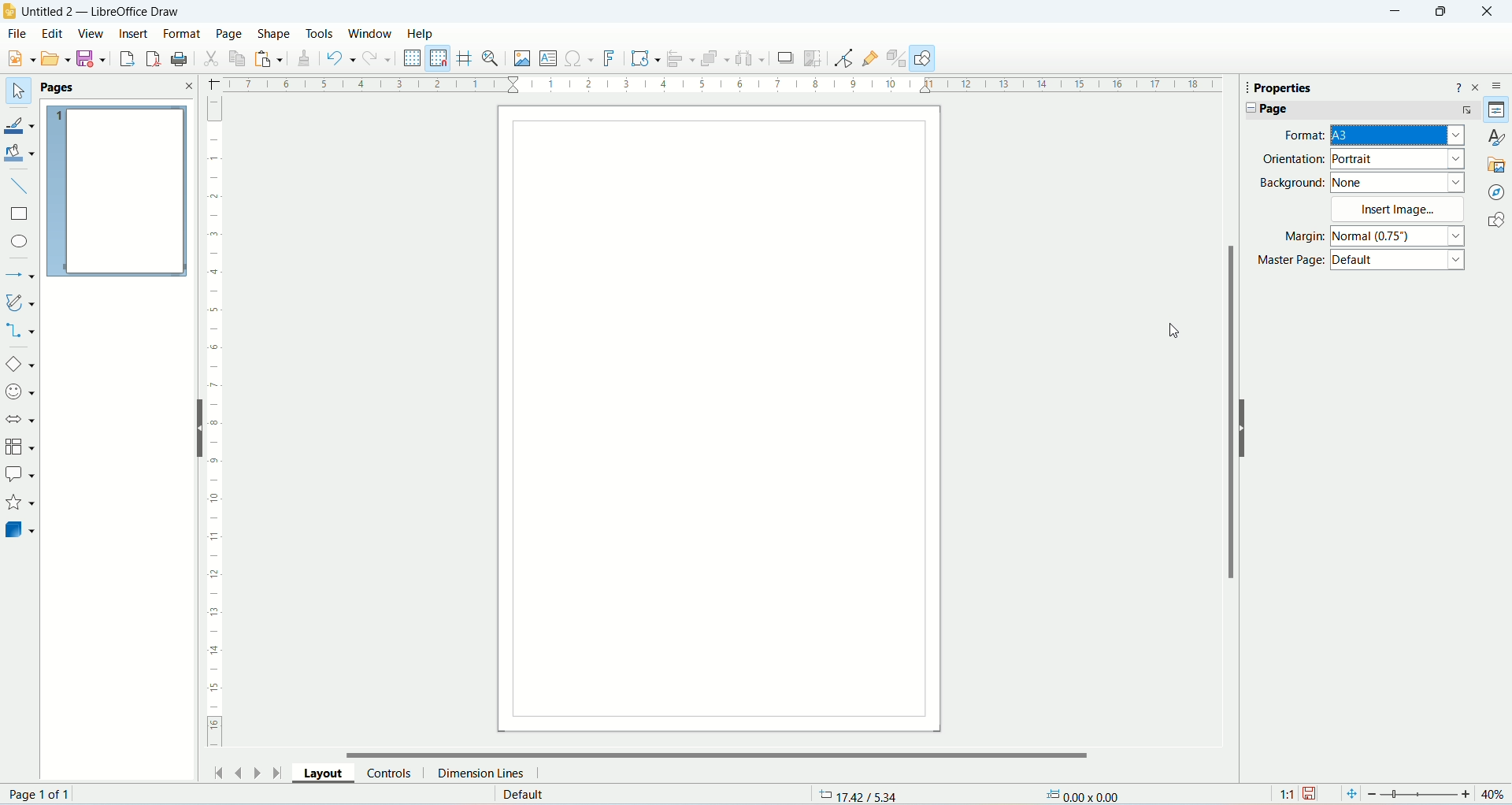 Image resolution: width=1512 pixels, height=805 pixels. What do you see at coordinates (750, 60) in the screenshot?
I see `select atleast three objects to distribute` at bounding box center [750, 60].